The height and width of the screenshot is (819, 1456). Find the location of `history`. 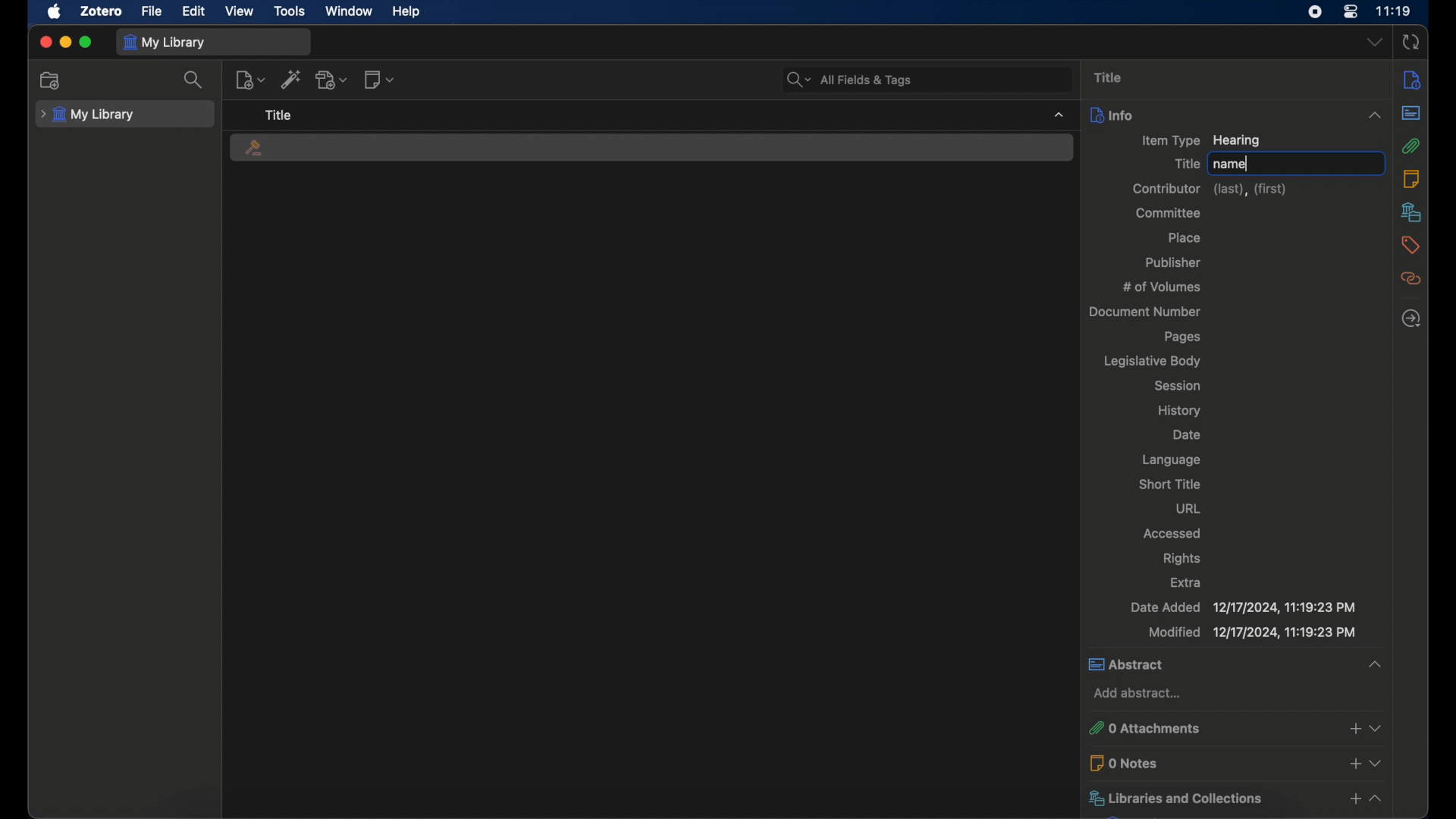

history is located at coordinates (1181, 410).